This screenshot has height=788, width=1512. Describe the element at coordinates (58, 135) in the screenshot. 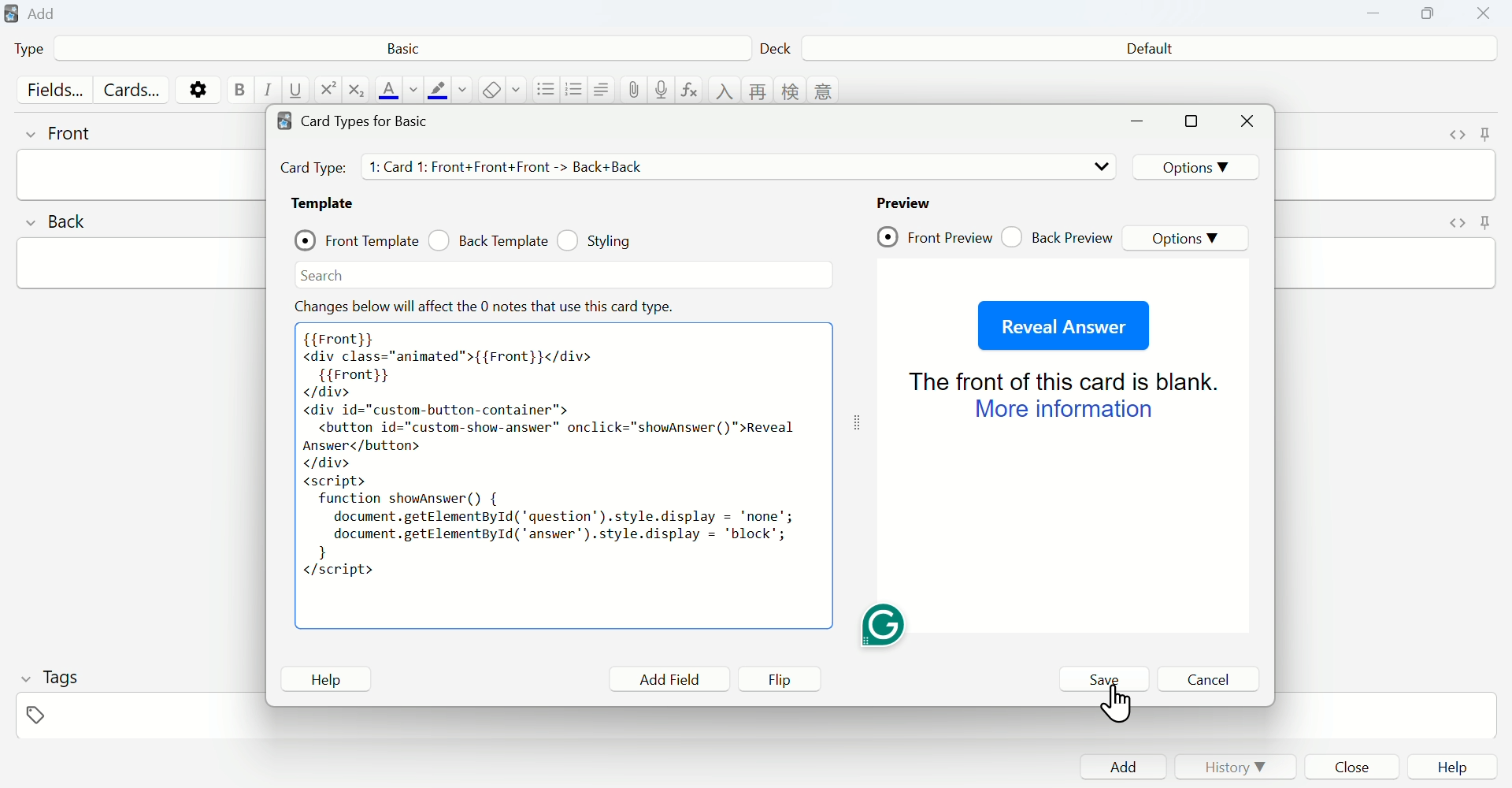

I see `front` at that location.